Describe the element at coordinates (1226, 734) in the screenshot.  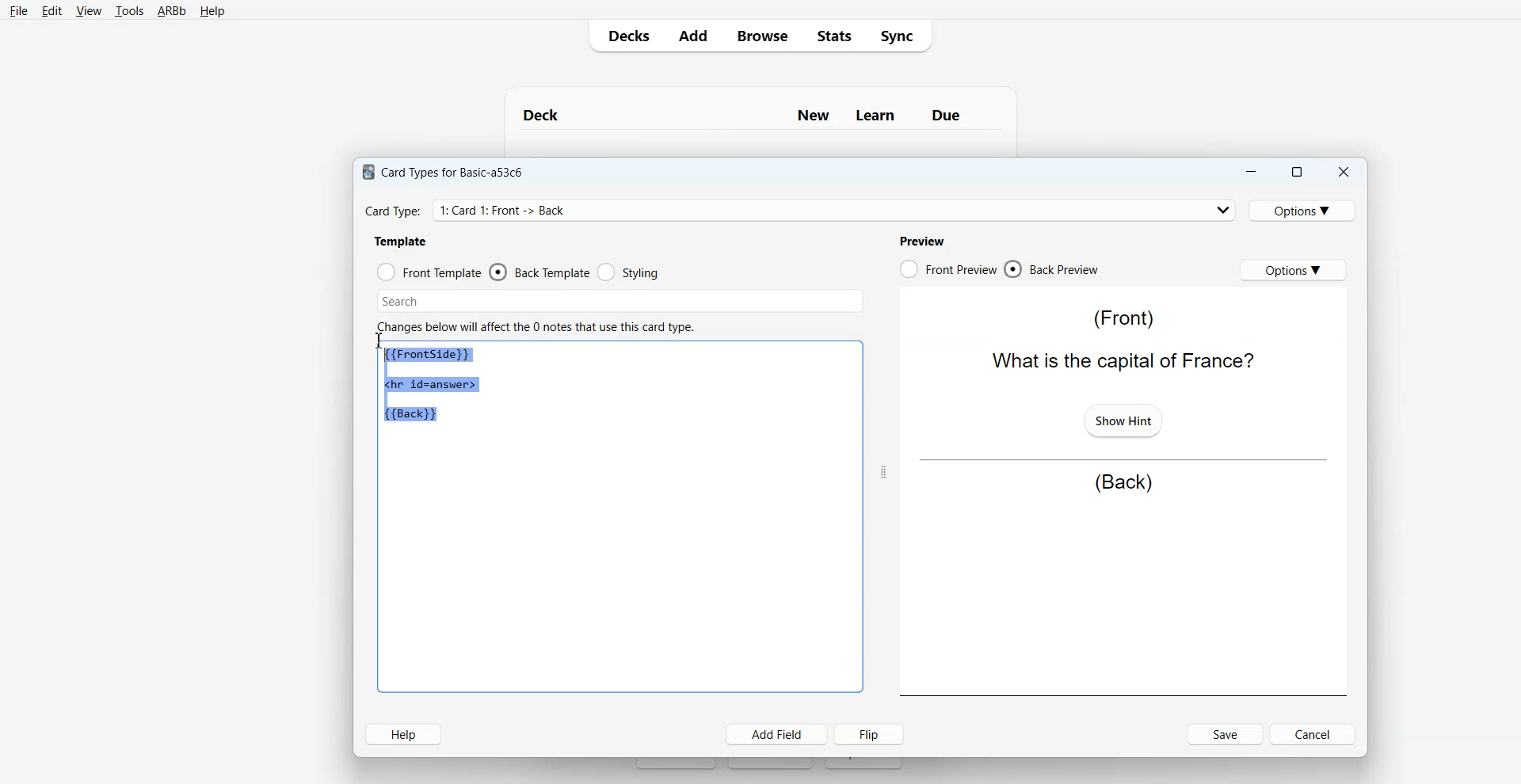
I see `Save` at that location.